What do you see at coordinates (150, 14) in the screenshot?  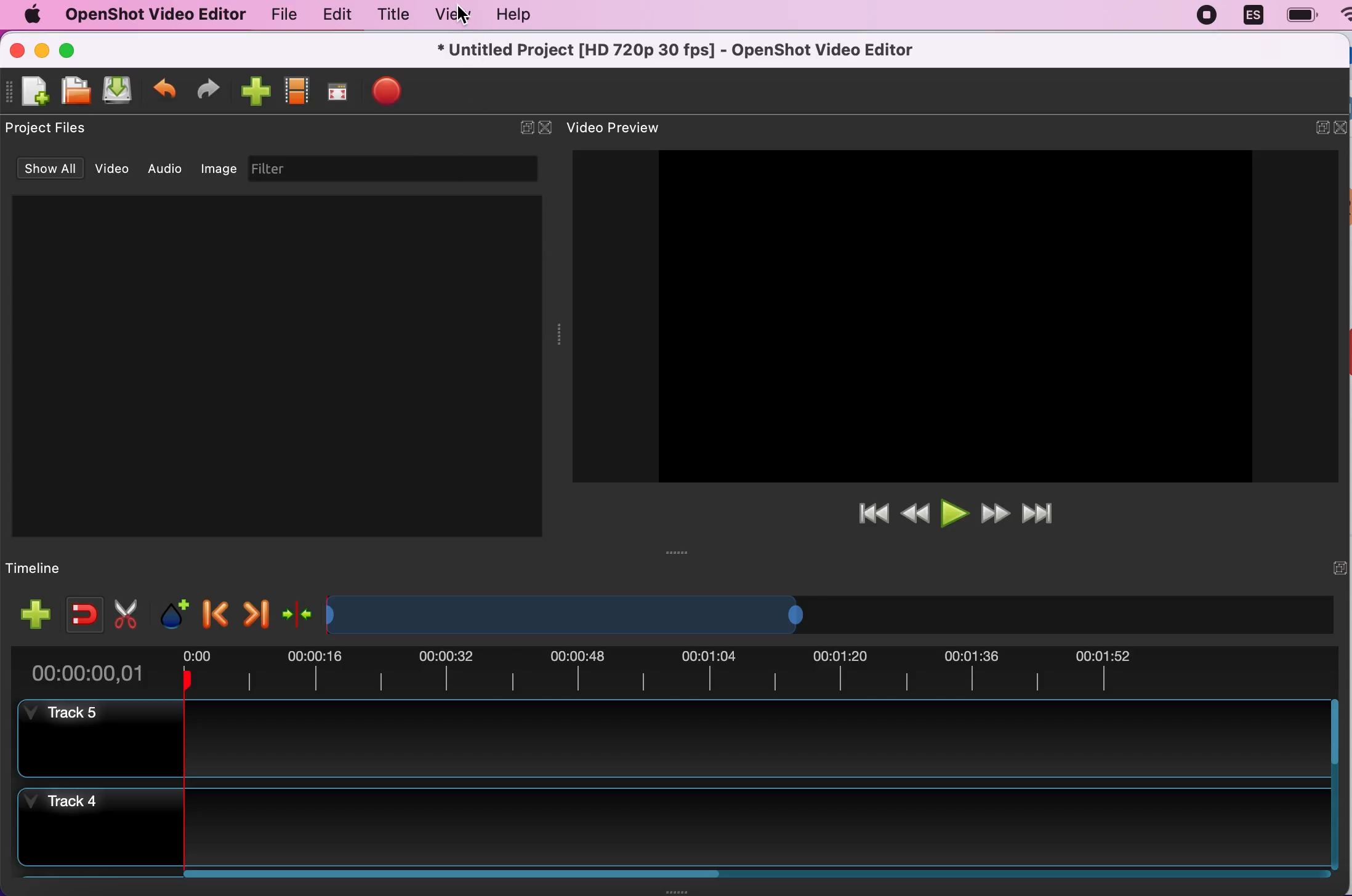 I see `openshot video editor` at bounding box center [150, 14].